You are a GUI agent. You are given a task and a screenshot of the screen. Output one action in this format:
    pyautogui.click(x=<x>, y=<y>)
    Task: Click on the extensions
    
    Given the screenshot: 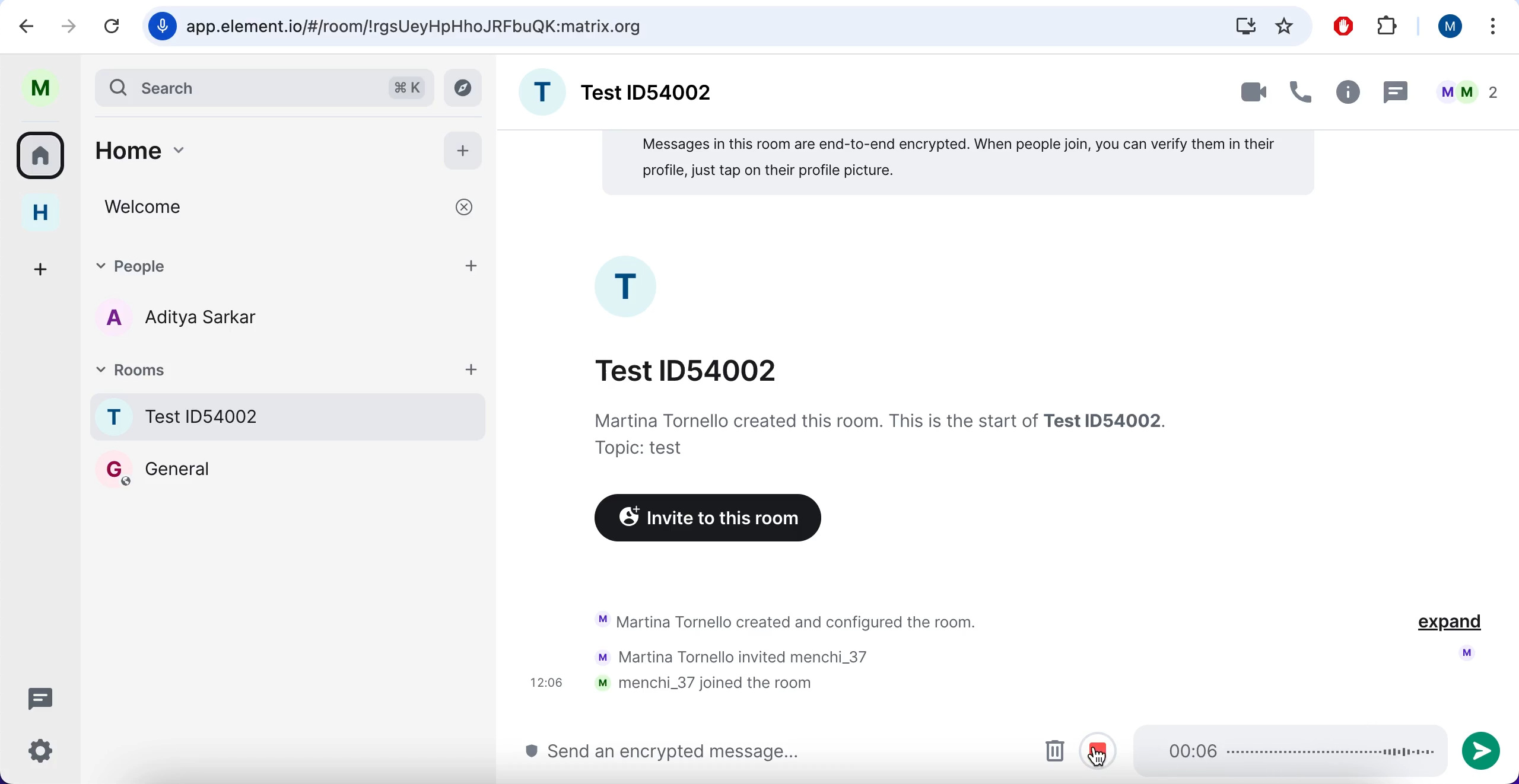 What is the action you would take?
    pyautogui.click(x=1387, y=25)
    